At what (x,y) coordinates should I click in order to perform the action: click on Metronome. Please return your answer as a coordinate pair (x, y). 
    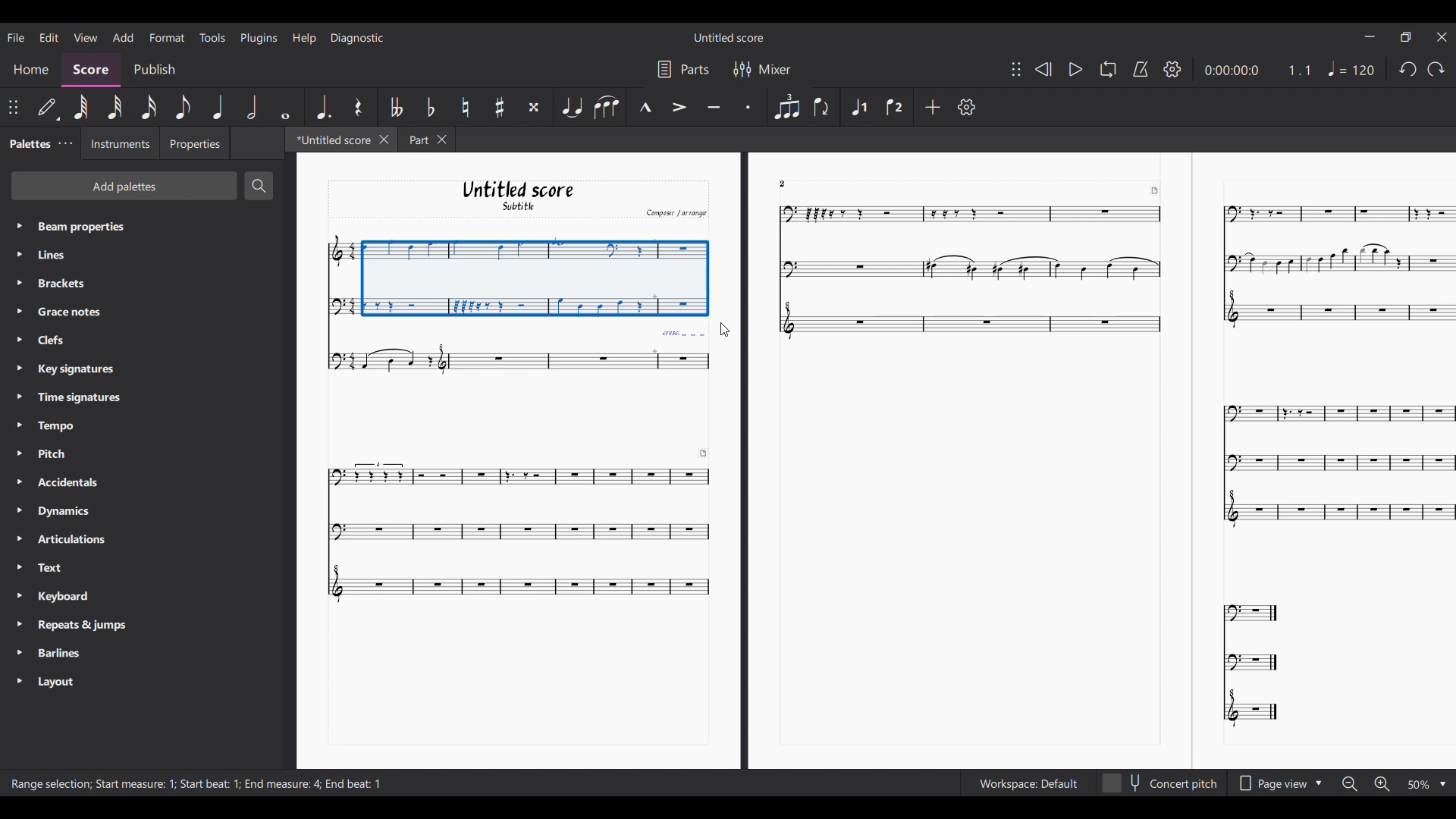
    Looking at the image, I should click on (1141, 69).